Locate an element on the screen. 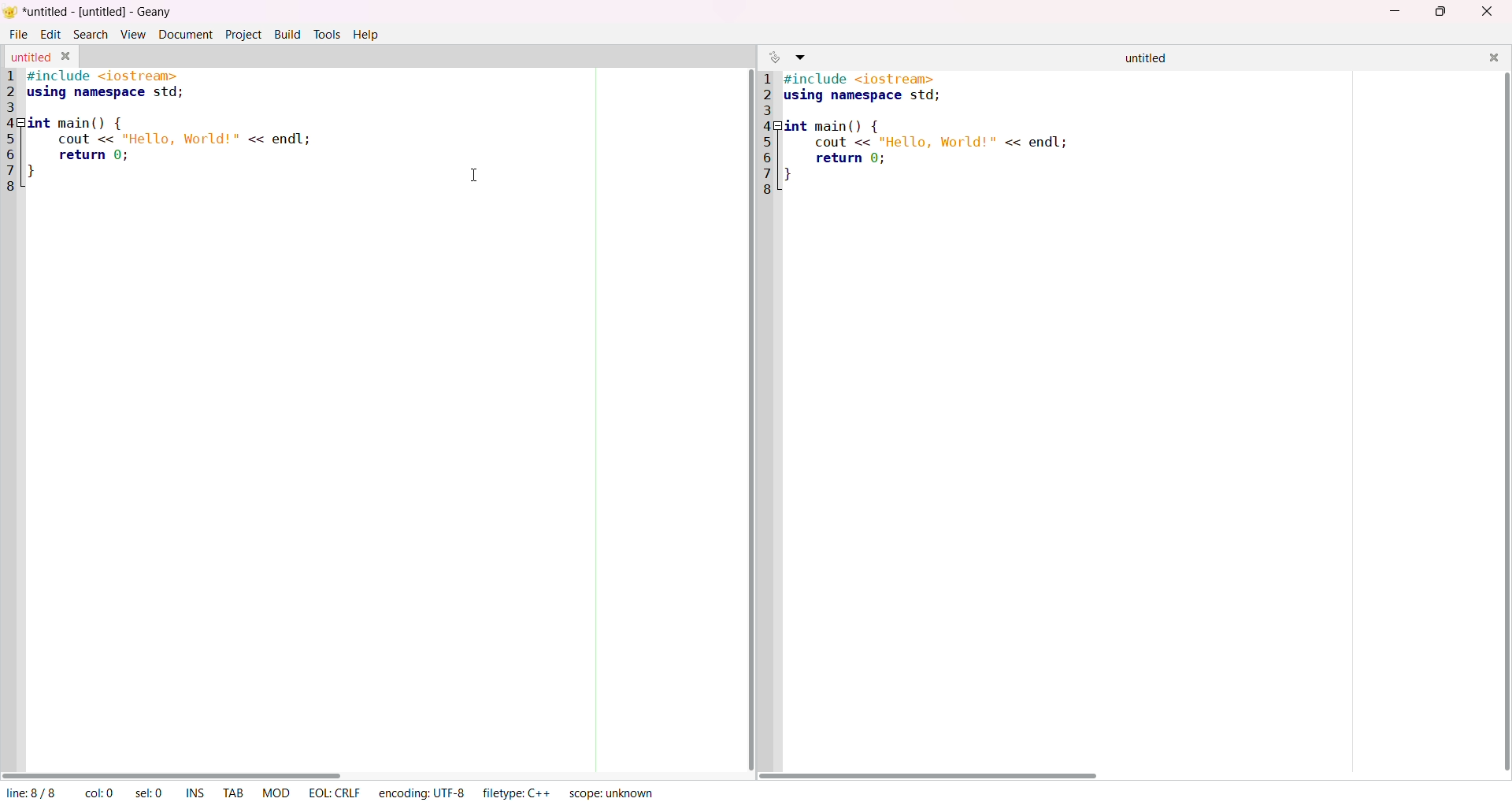 The image size is (1512, 802). Project is located at coordinates (243, 34).